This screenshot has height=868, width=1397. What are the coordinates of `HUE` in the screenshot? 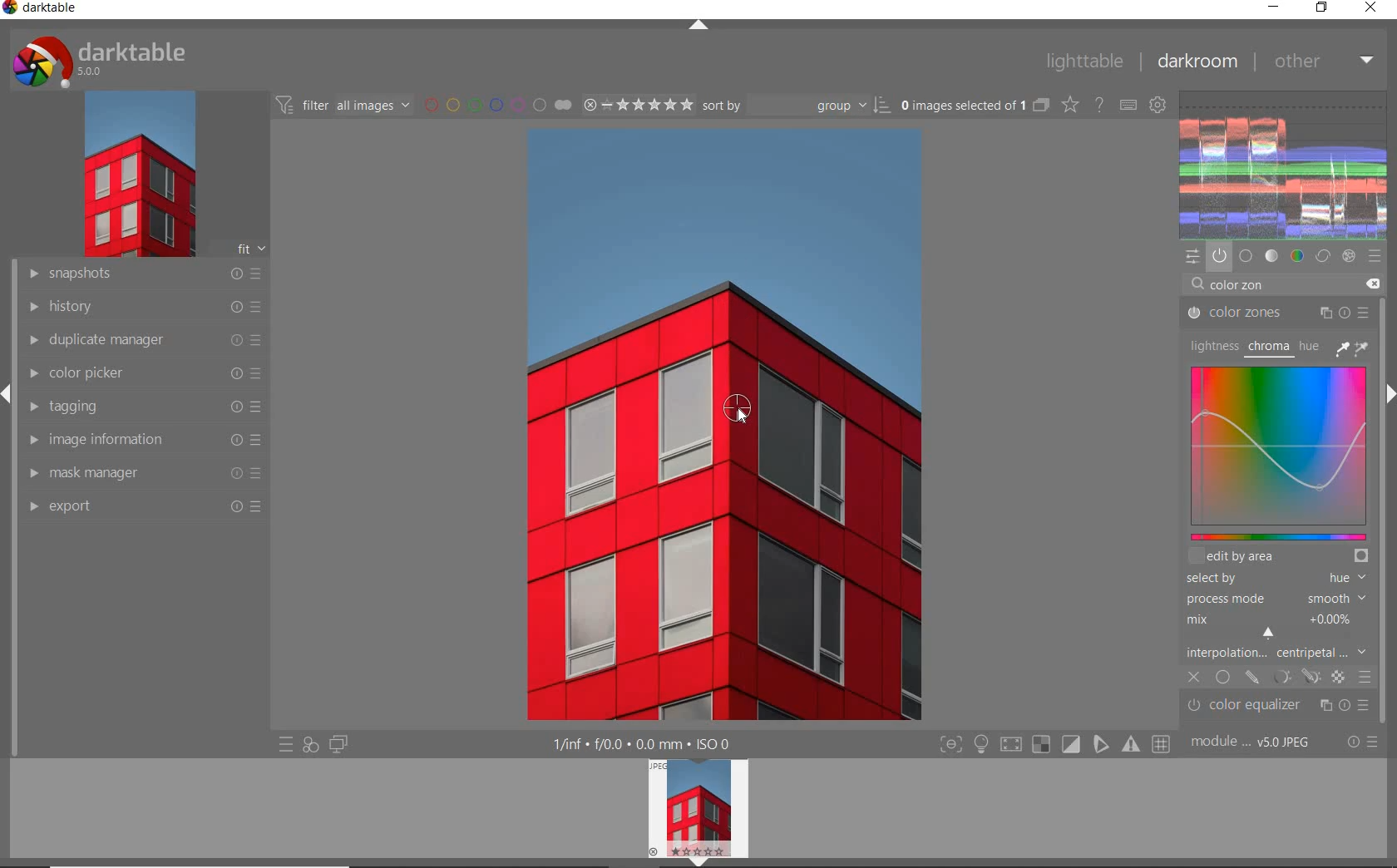 It's located at (1307, 345).